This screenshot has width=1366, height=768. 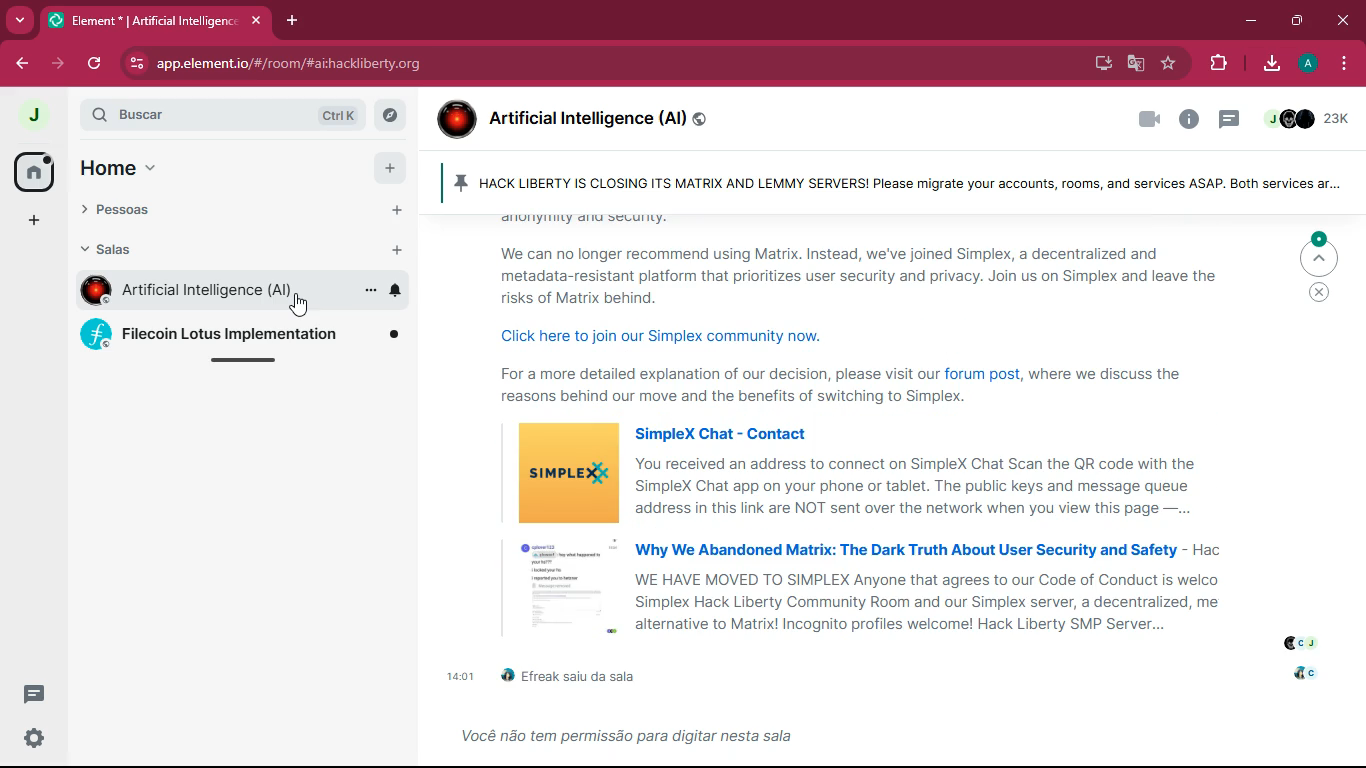 What do you see at coordinates (395, 211) in the screenshot?
I see `add people` at bounding box center [395, 211].